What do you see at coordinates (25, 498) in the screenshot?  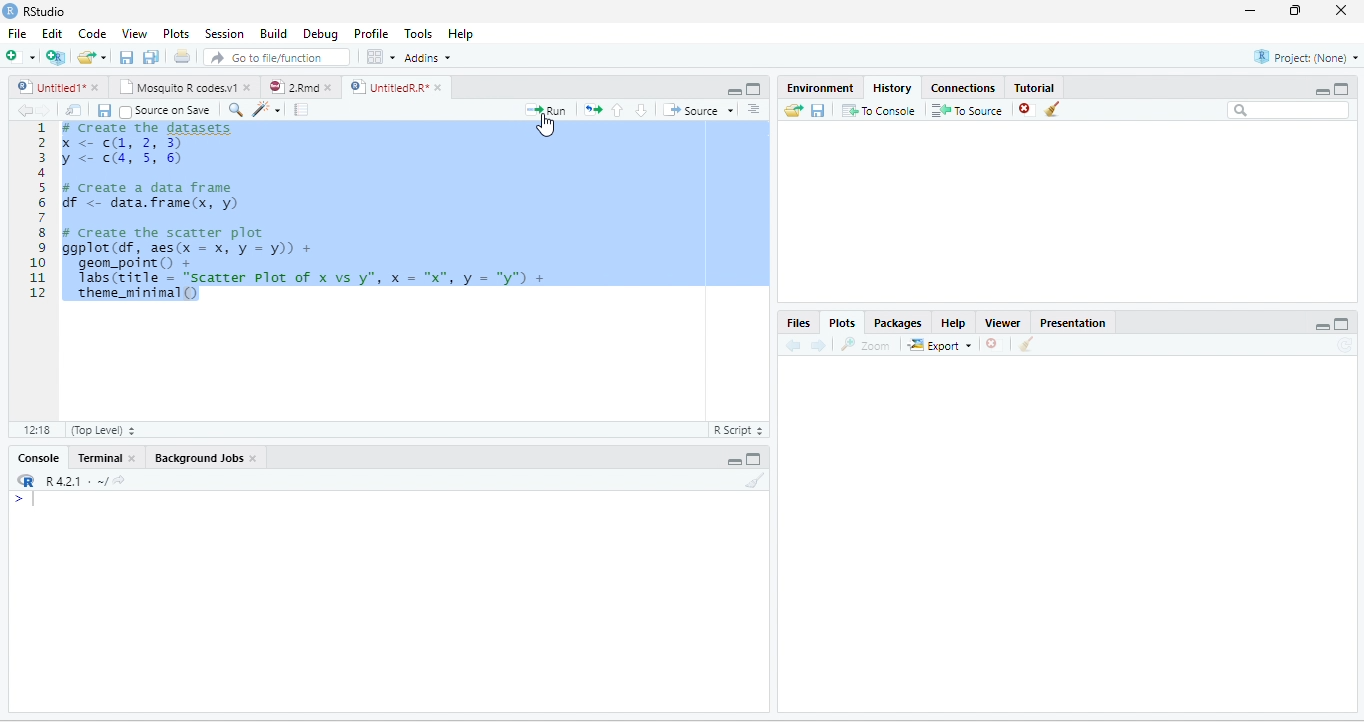 I see `New line` at bounding box center [25, 498].